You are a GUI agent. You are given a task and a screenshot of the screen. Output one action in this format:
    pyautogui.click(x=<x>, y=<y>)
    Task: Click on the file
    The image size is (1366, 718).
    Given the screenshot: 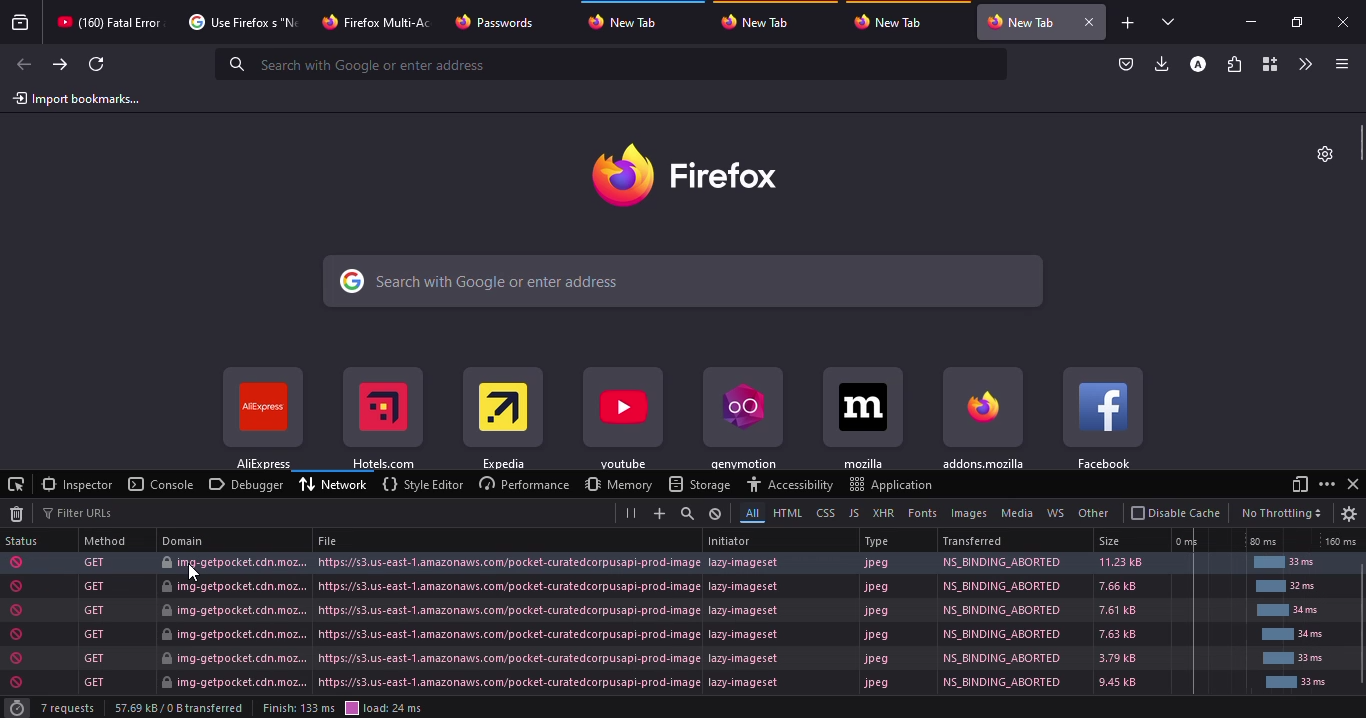 What is the action you would take?
    pyautogui.click(x=330, y=541)
    